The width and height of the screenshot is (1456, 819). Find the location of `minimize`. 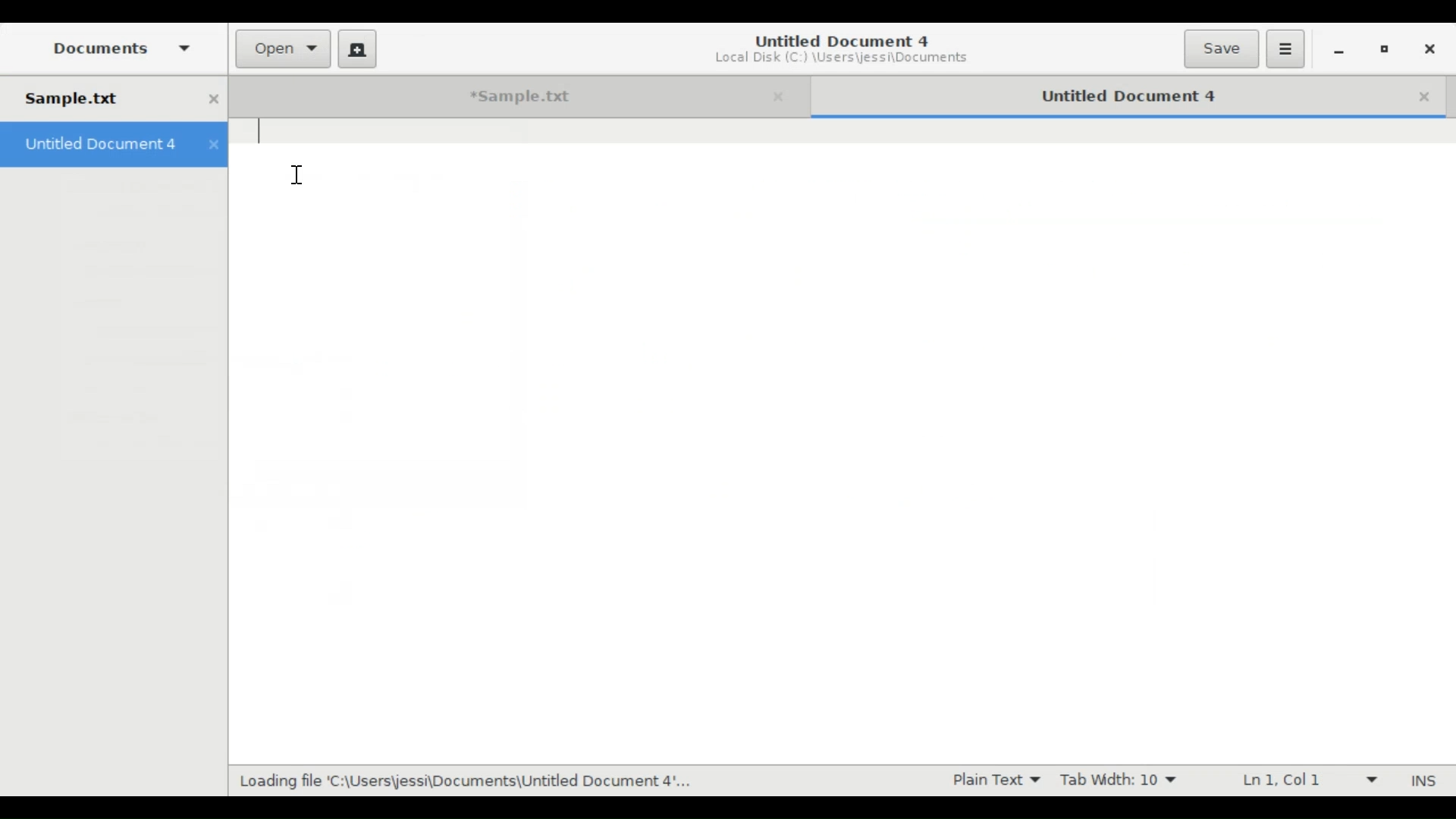

minimize is located at coordinates (1341, 49).